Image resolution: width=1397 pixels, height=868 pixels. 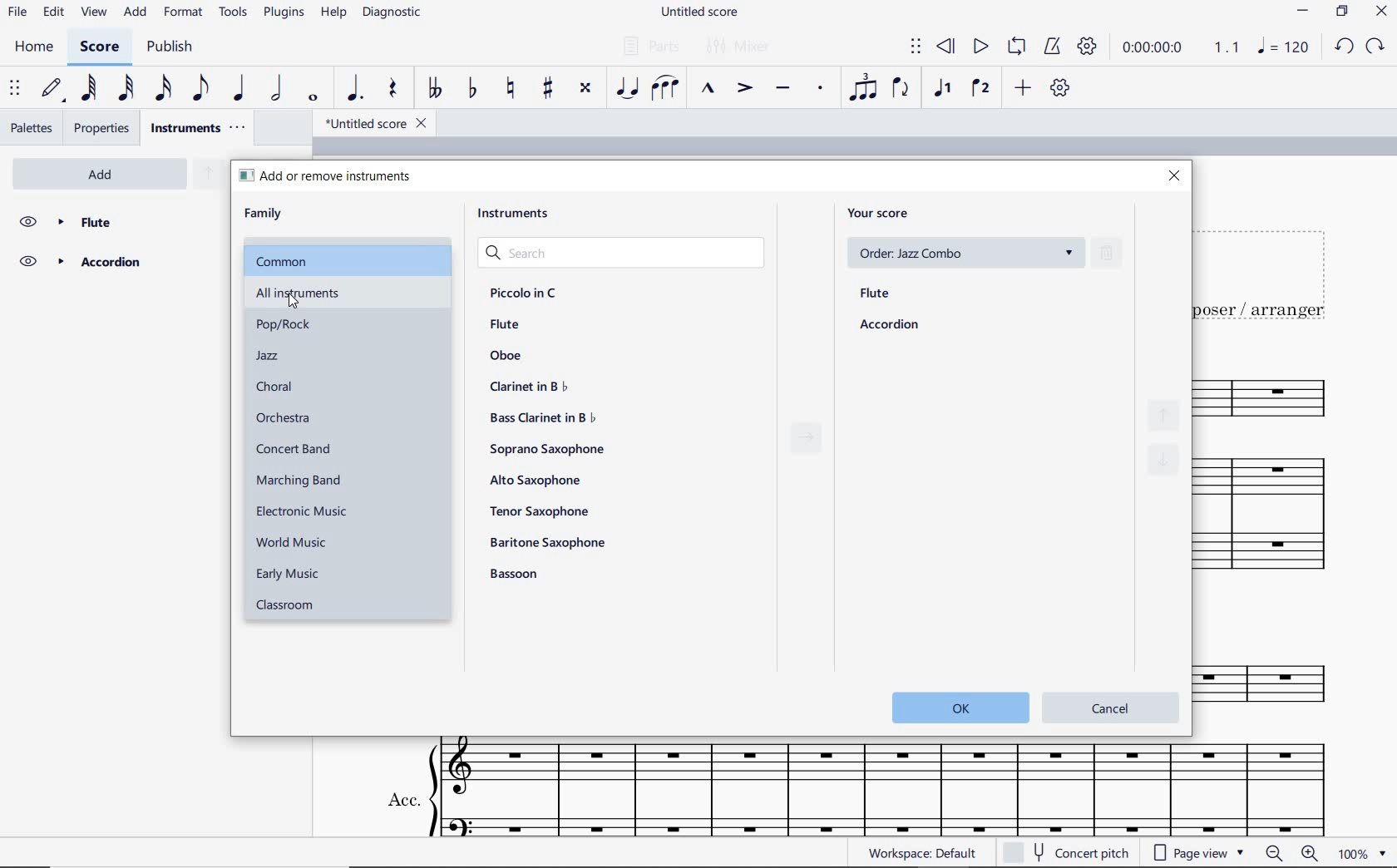 What do you see at coordinates (744, 89) in the screenshot?
I see `accent` at bounding box center [744, 89].